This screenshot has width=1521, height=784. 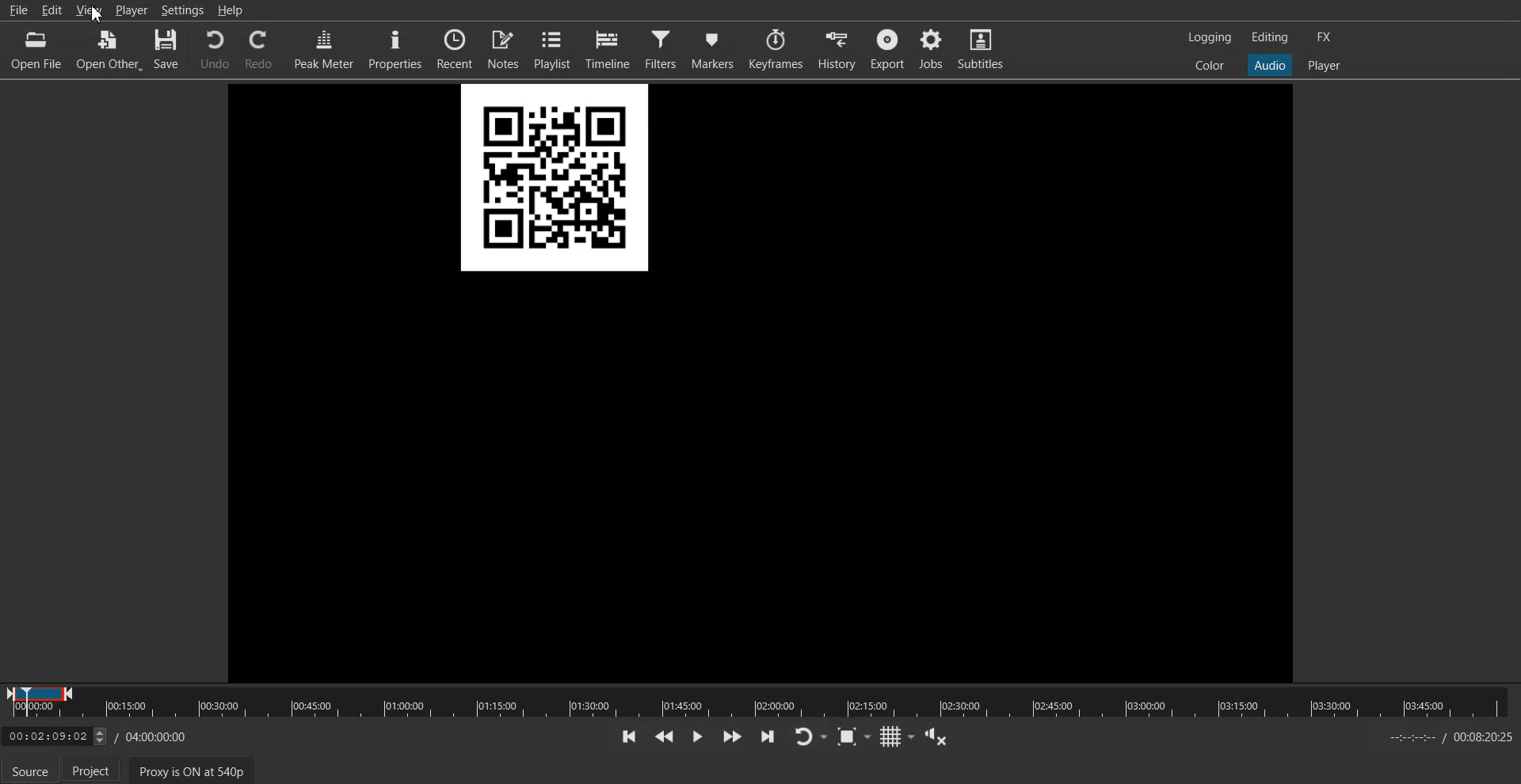 I want to click on Switch to the Editor layout, so click(x=1270, y=37).